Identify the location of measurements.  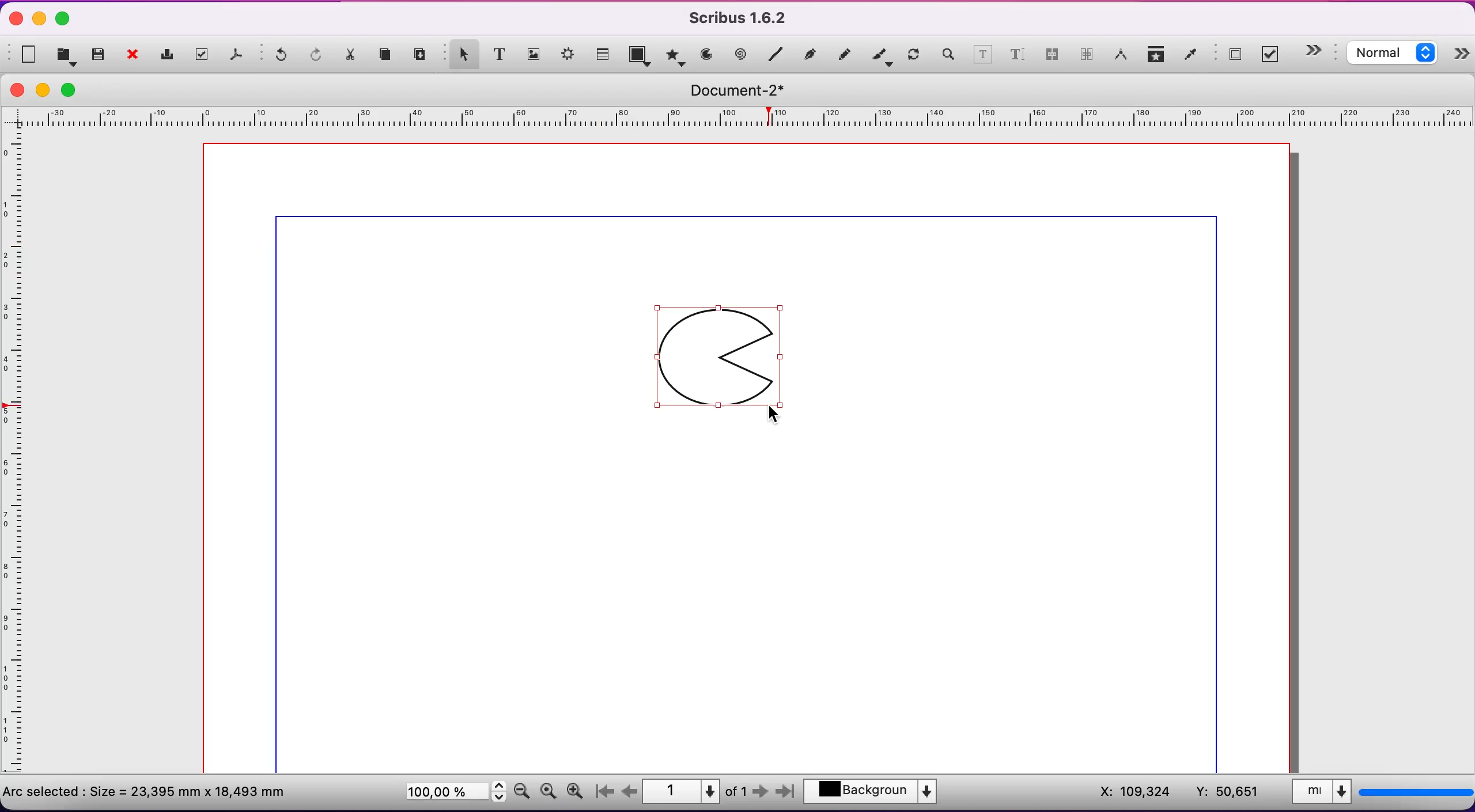
(1121, 56).